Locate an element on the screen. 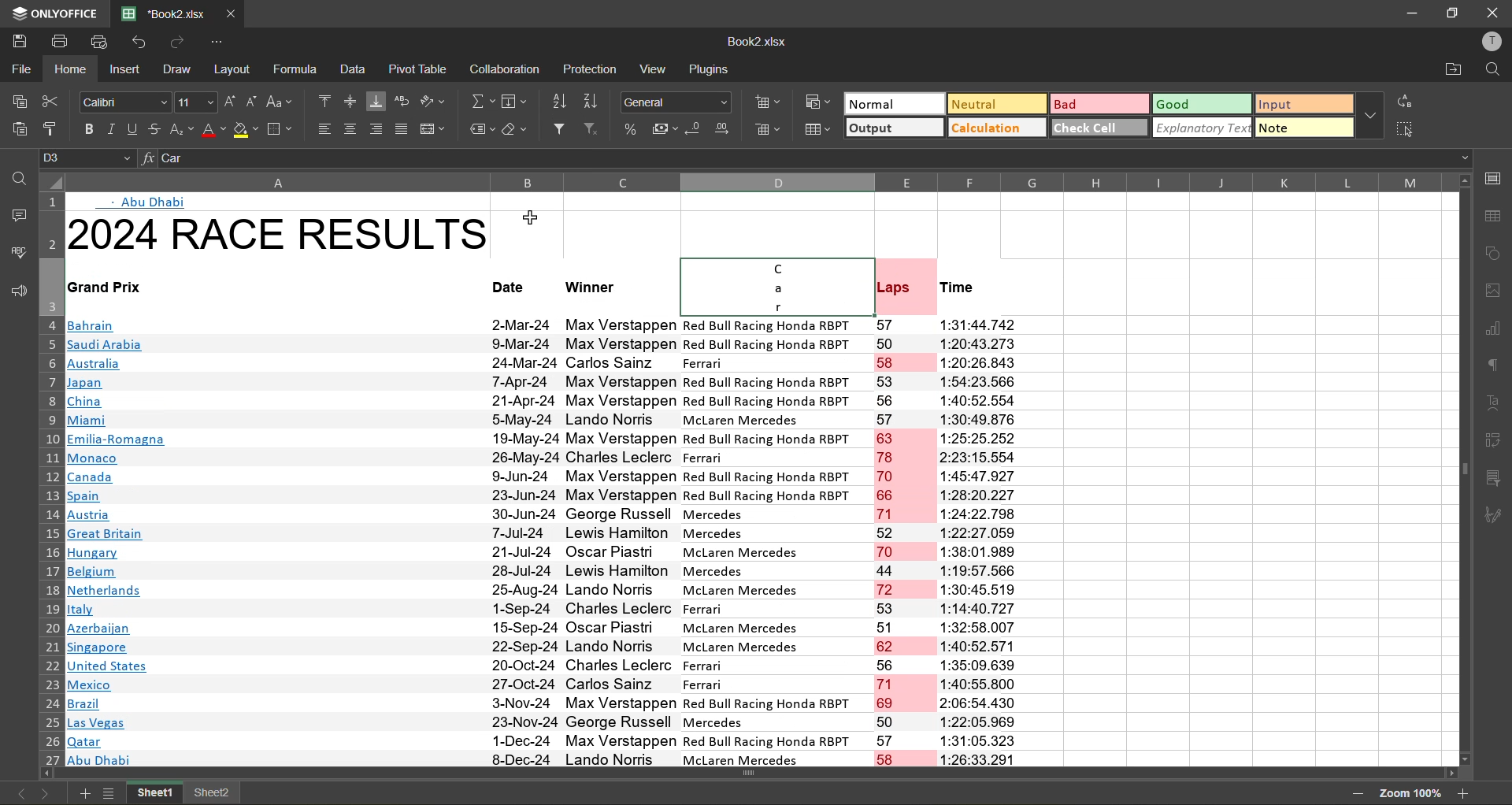  layout is located at coordinates (230, 72).